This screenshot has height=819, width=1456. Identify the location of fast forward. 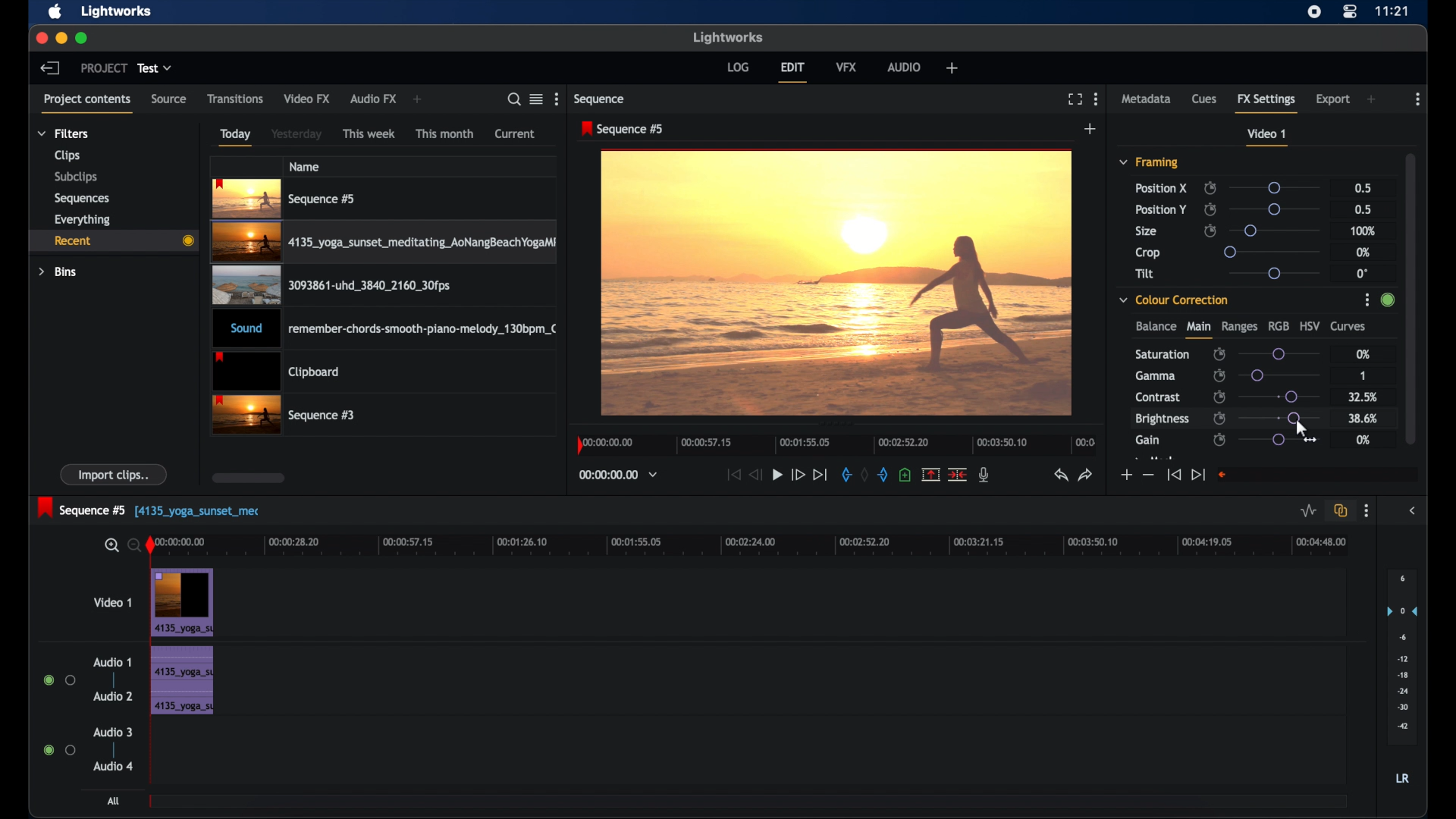
(797, 474).